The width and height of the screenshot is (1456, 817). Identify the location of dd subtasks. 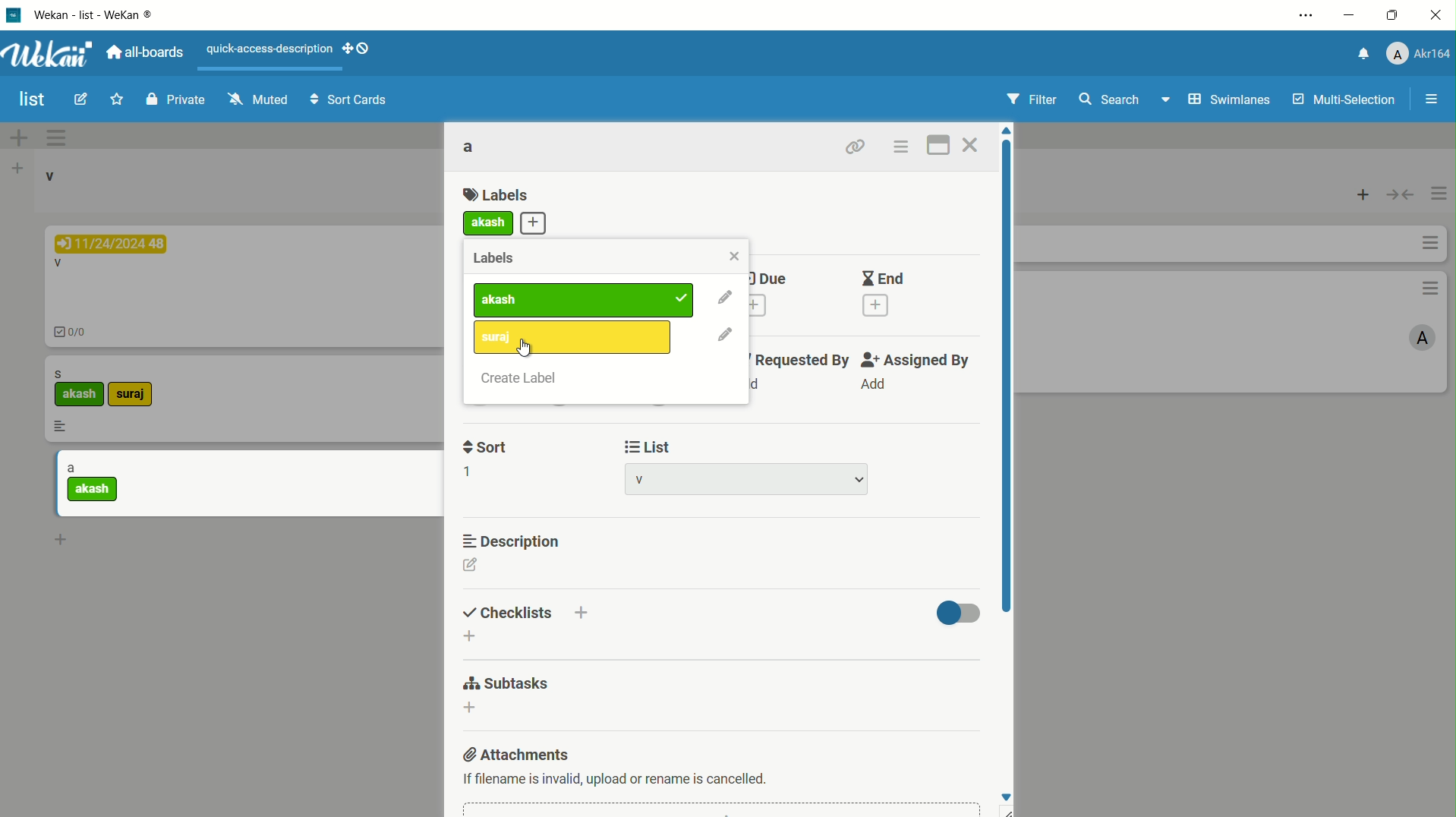
(469, 708).